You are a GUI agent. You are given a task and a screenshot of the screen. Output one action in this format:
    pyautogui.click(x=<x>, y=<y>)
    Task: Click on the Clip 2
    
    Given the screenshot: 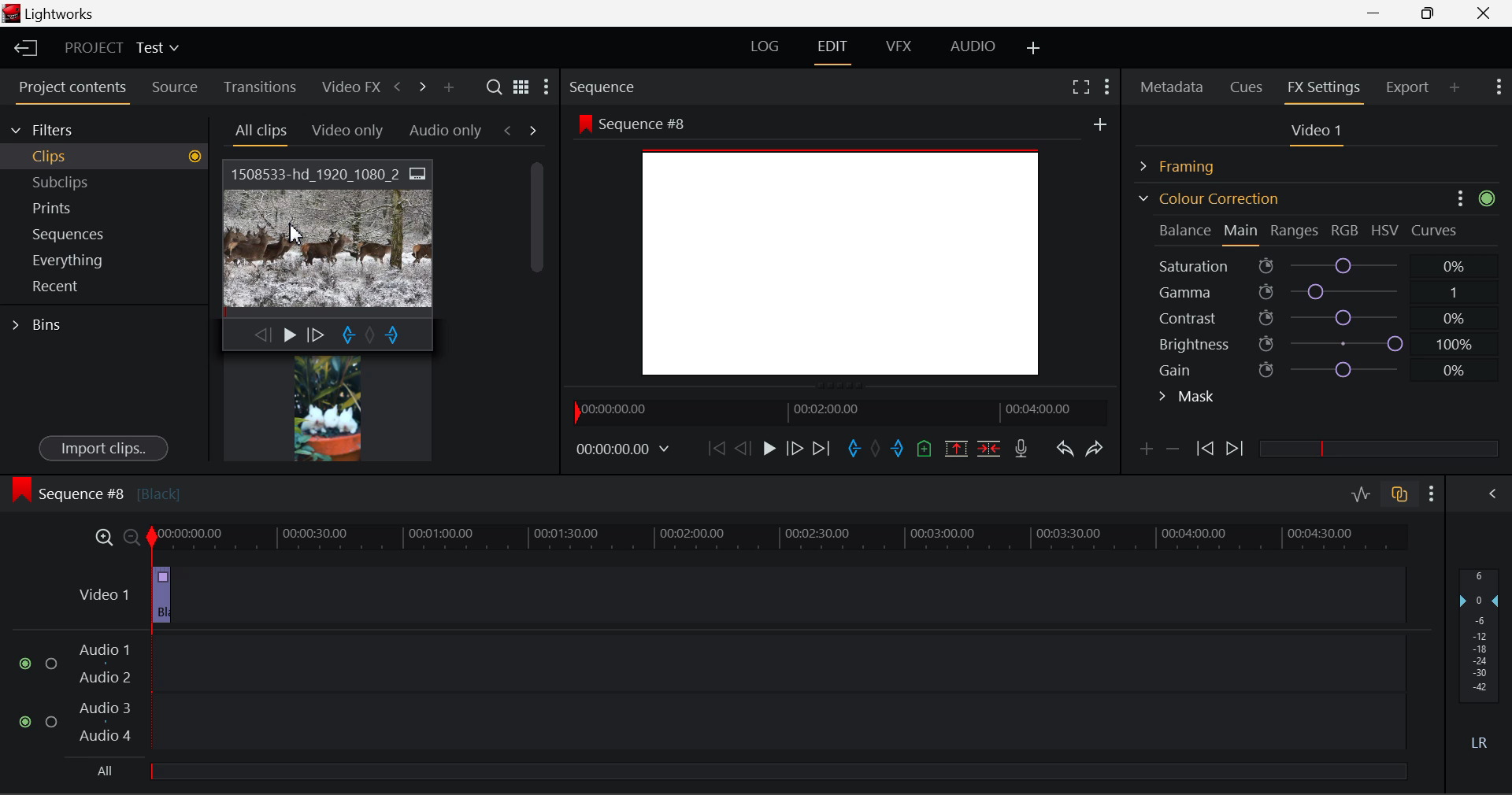 What is the action you would take?
    pyautogui.click(x=327, y=408)
    